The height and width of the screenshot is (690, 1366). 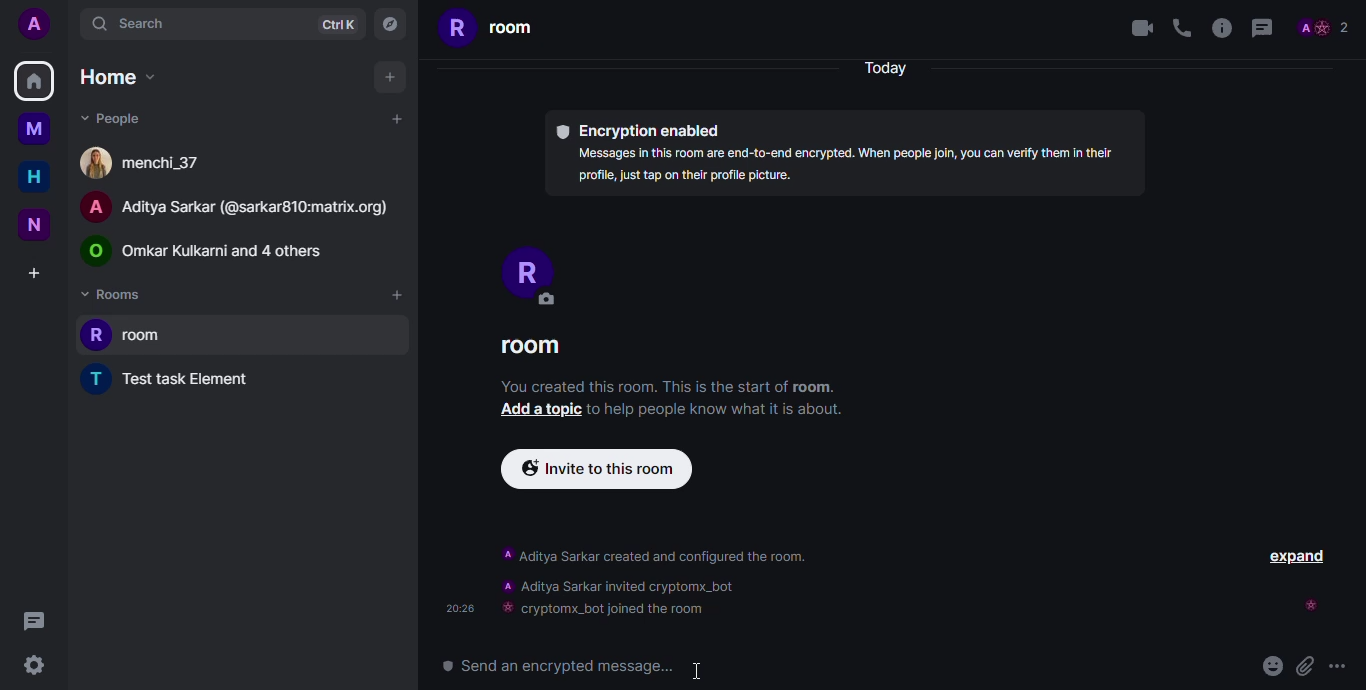 I want to click on profile, so click(x=1327, y=25).